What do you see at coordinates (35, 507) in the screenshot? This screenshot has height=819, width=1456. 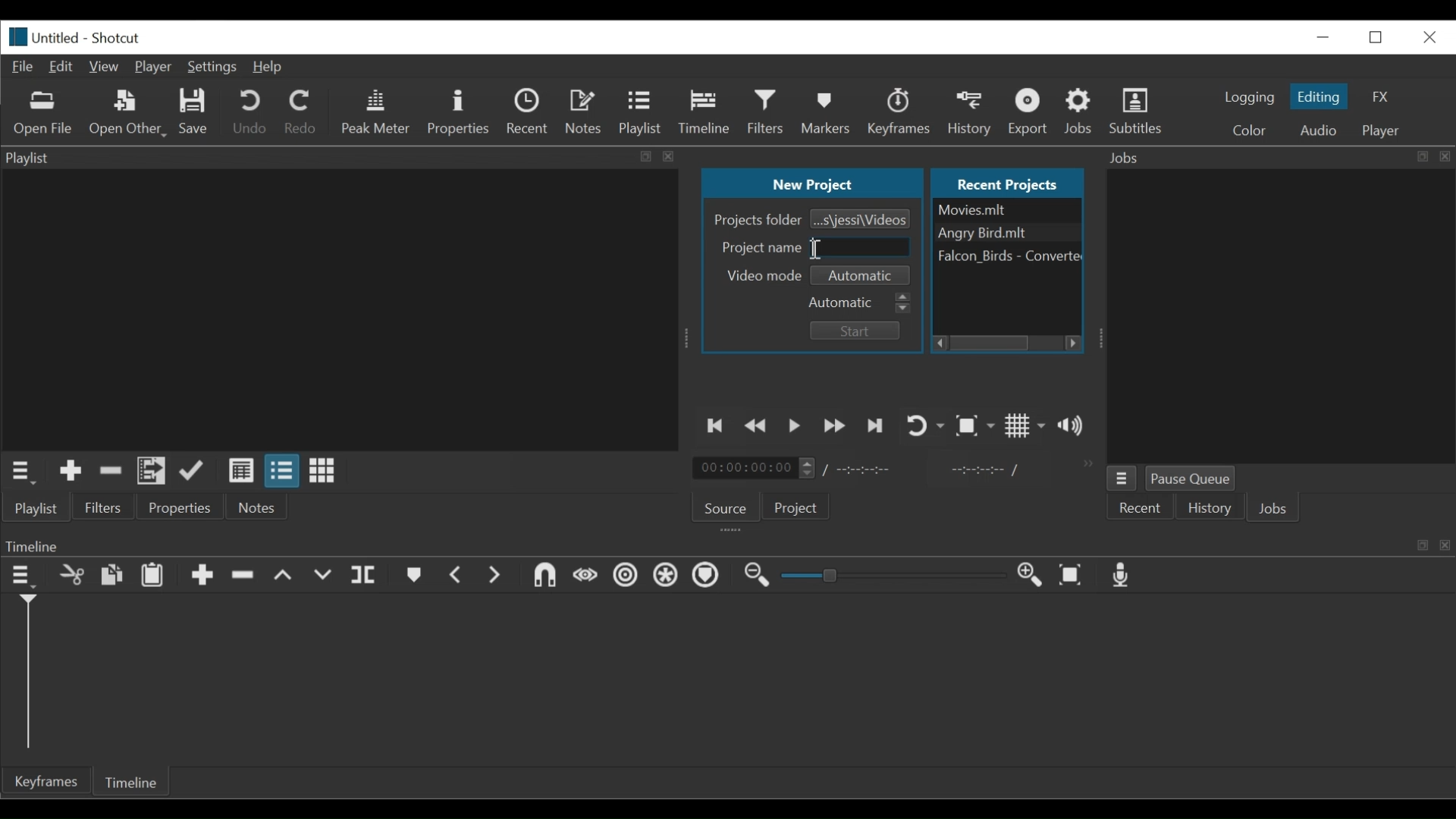 I see `Playlist` at bounding box center [35, 507].